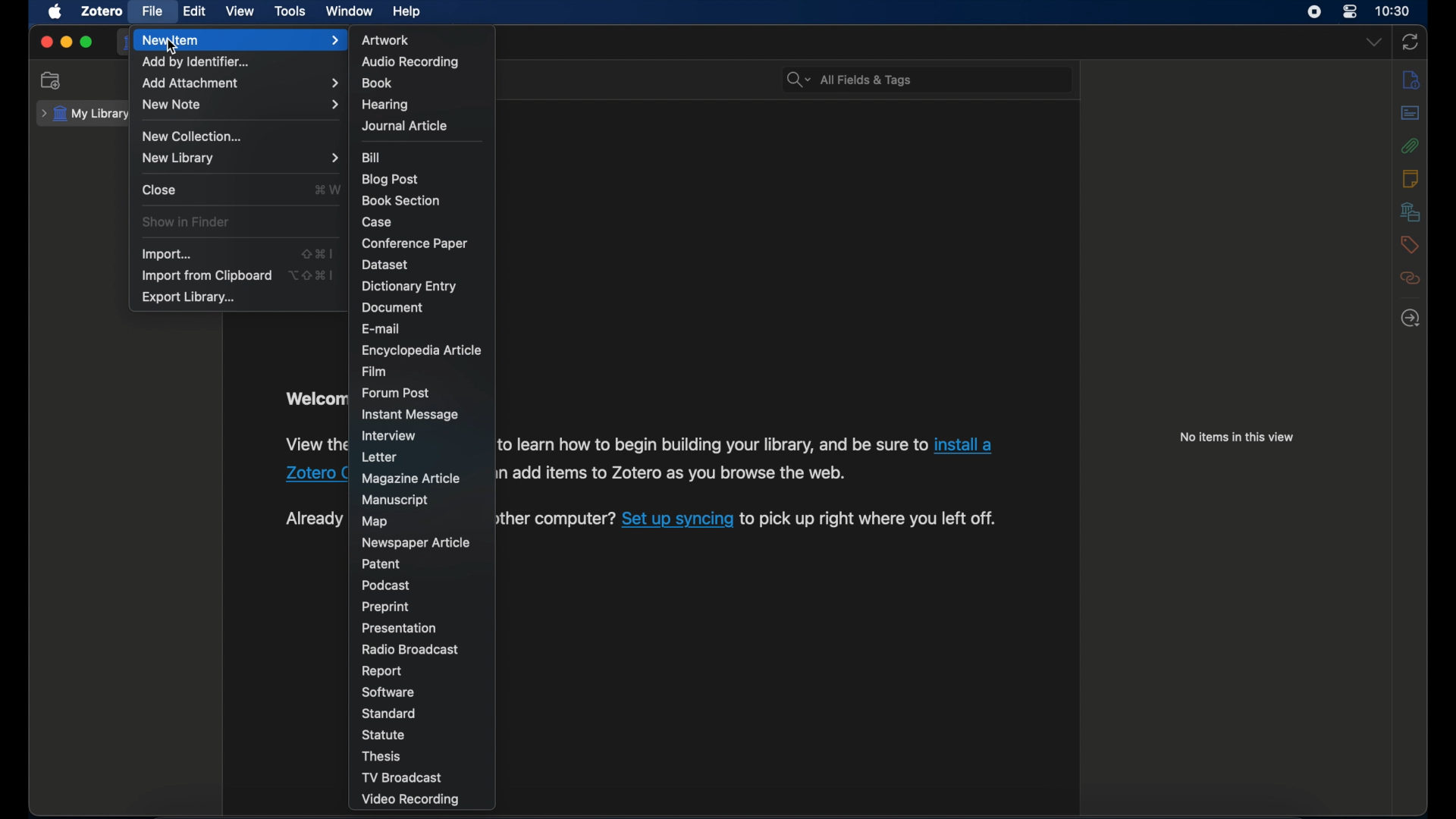  I want to click on presentation, so click(399, 628).